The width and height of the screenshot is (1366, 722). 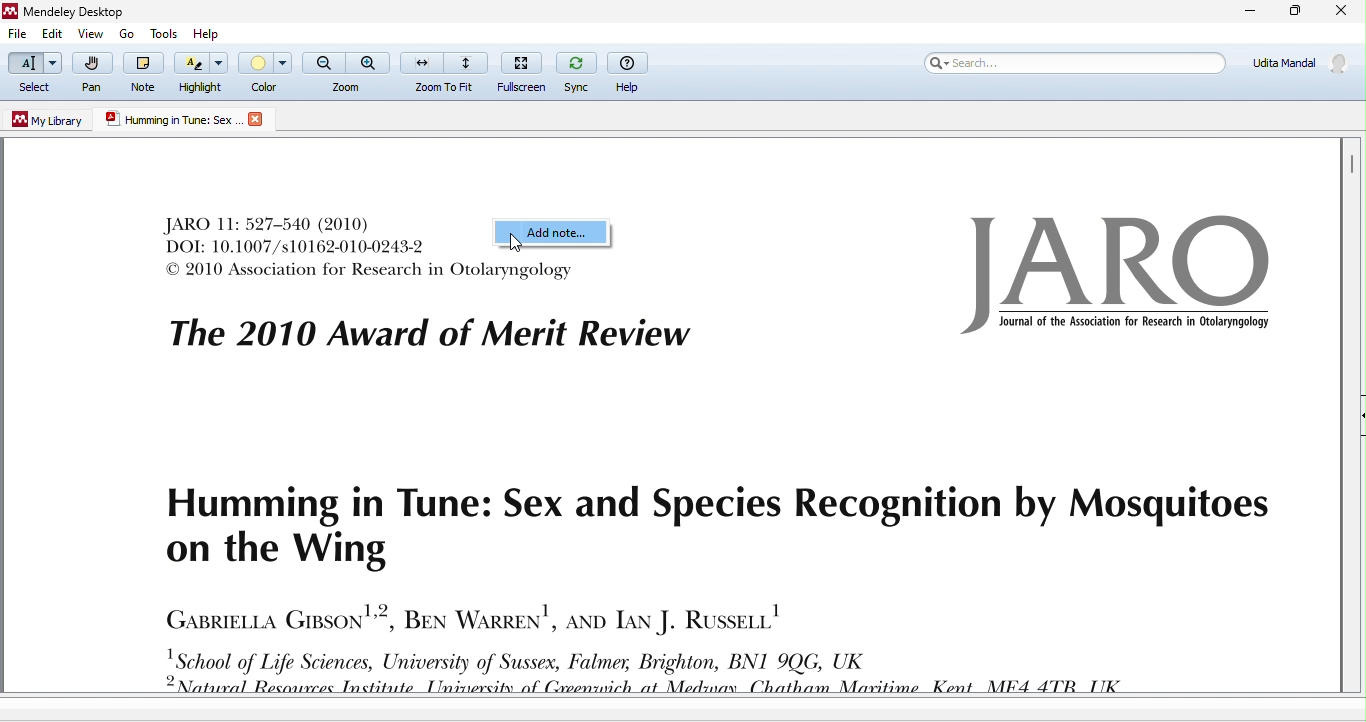 What do you see at coordinates (578, 72) in the screenshot?
I see `sync` at bounding box center [578, 72].